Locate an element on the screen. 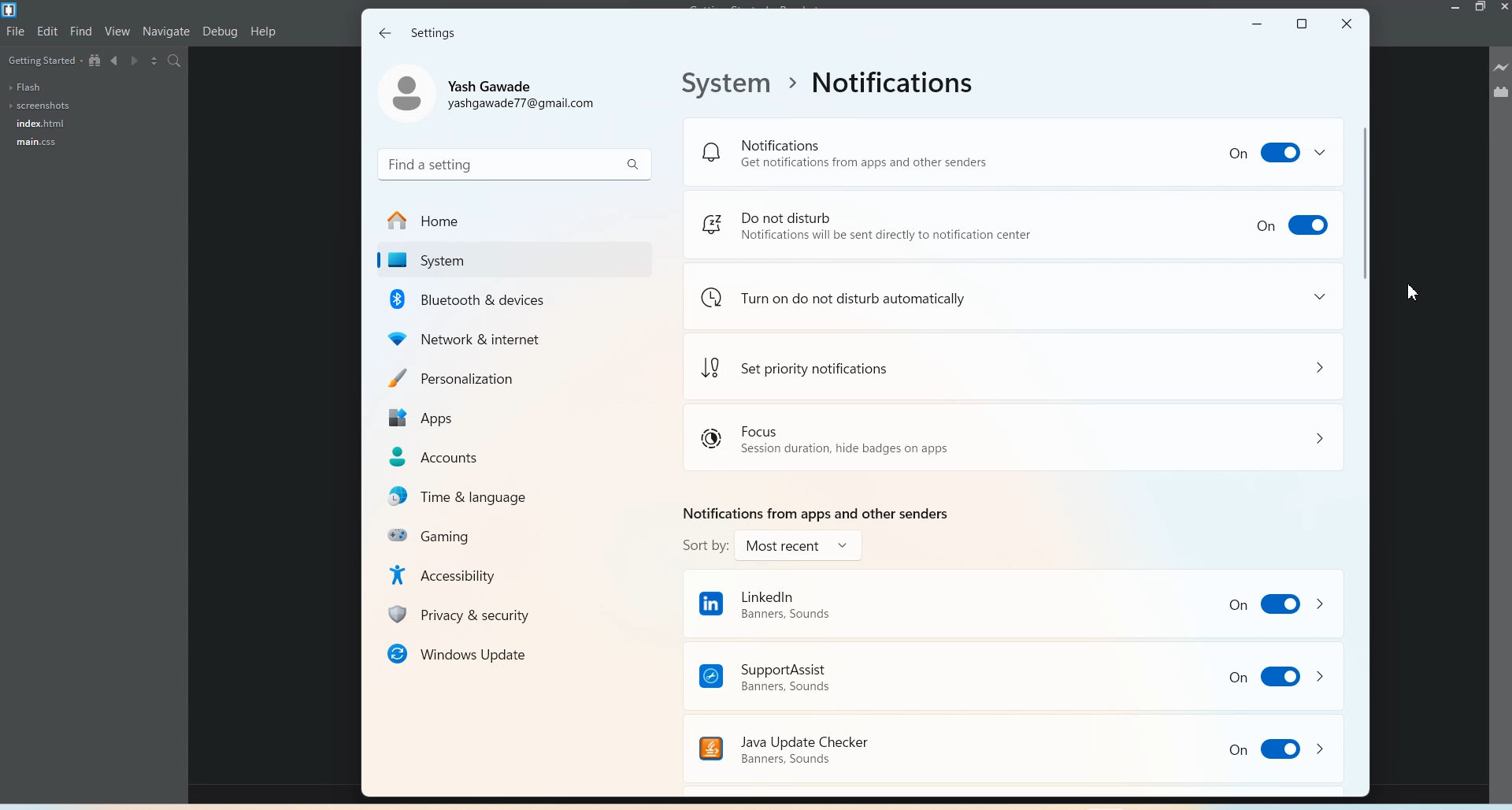 This screenshot has width=1512, height=810. Privacy & Security is located at coordinates (509, 614).